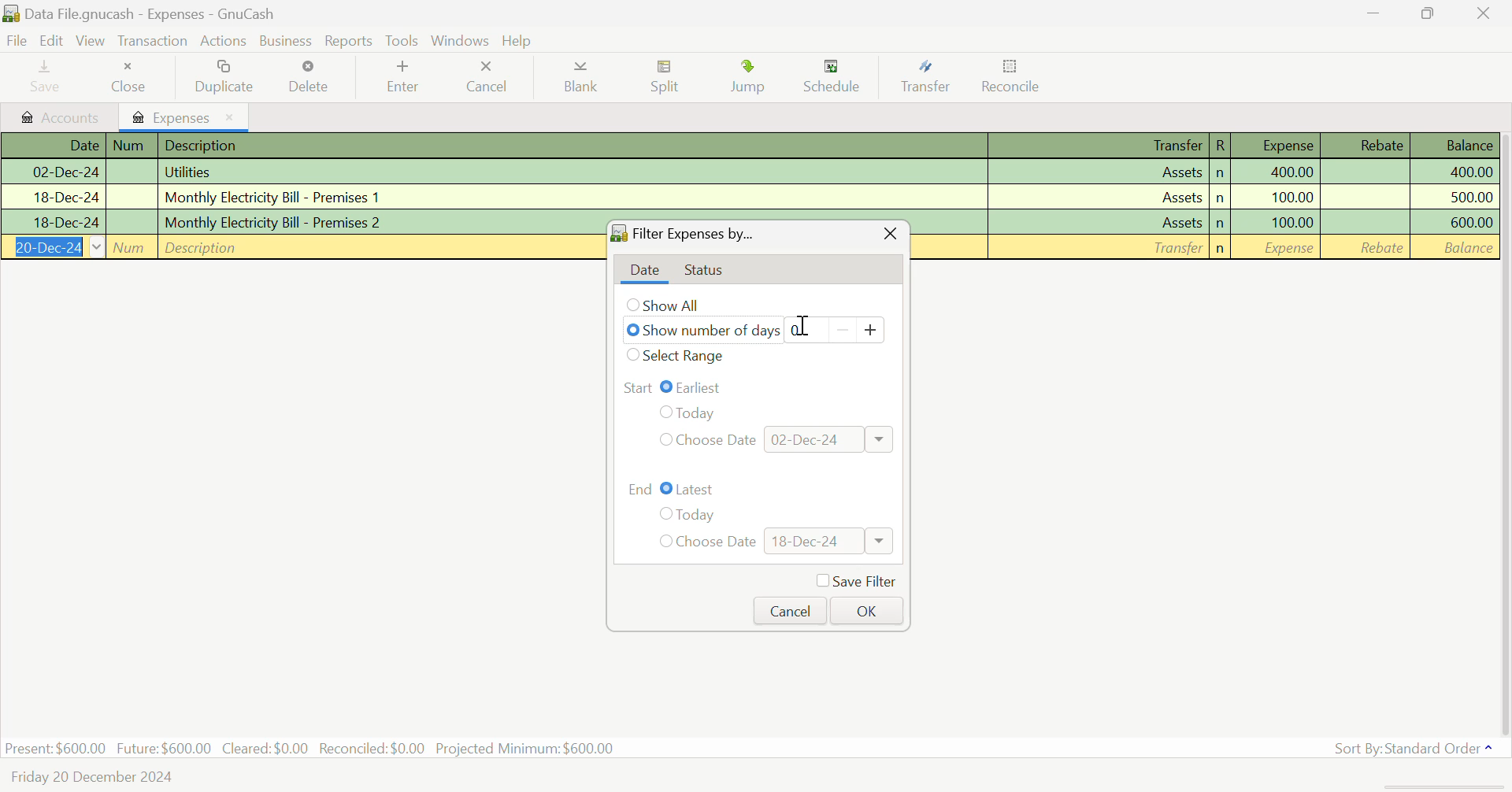 This screenshot has width=1512, height=792. Describe the element at coordinates (49, 198) in the screenshot. I see `Date` at that location.